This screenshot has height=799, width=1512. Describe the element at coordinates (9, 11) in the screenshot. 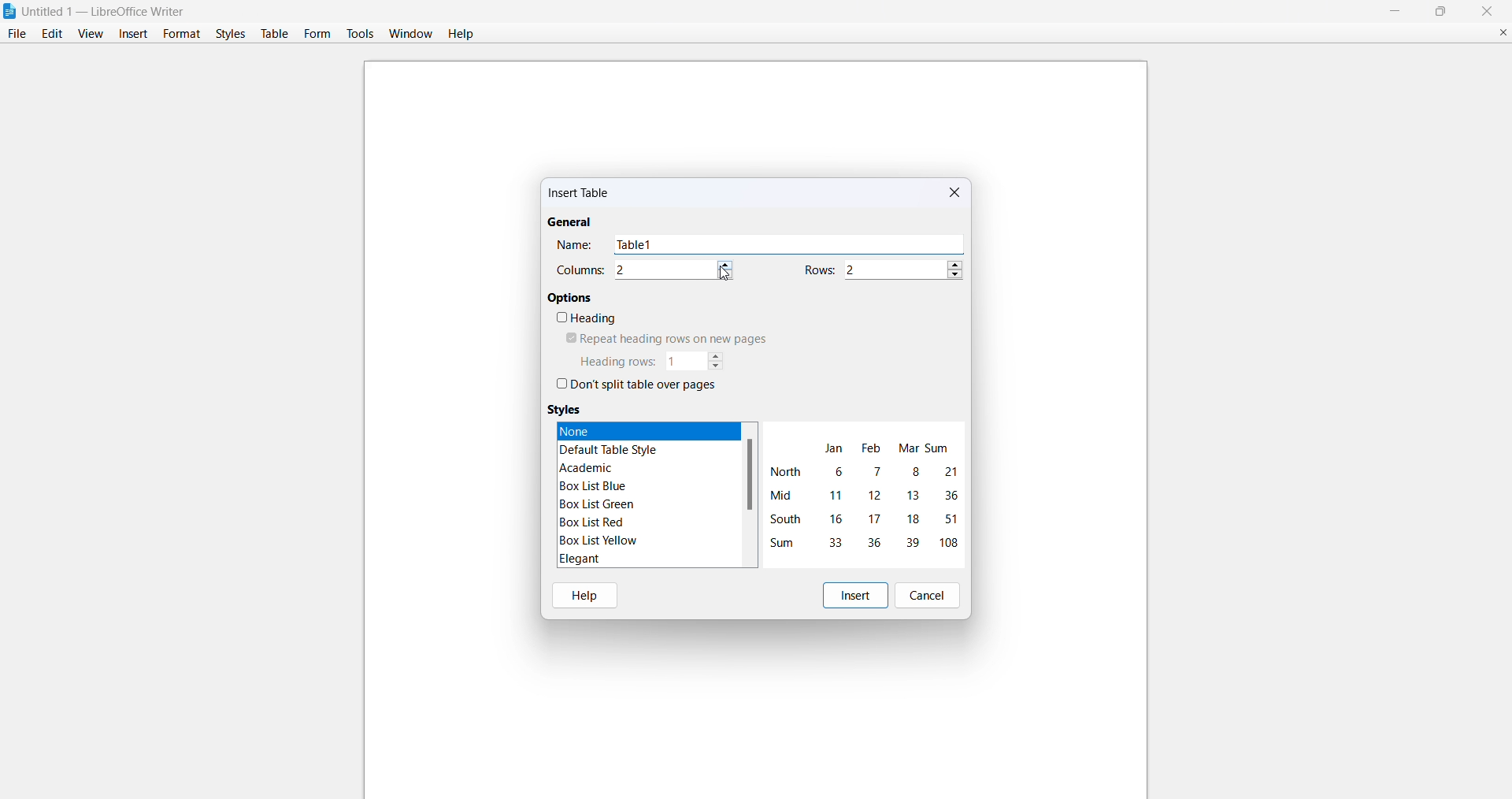

I see `libreofficewriter logo` at that location.